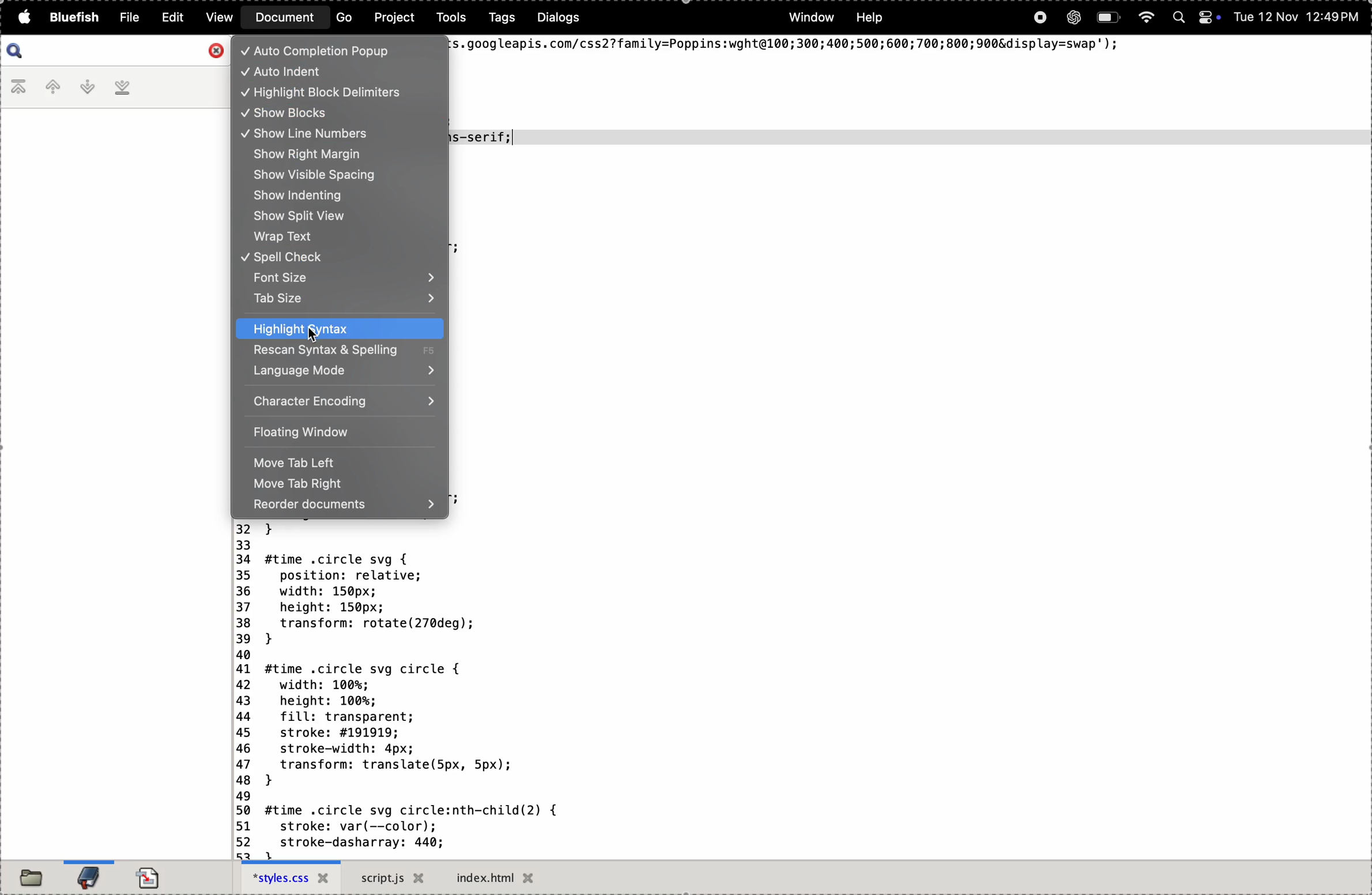 The height and width of the screenshot is (895, 1372). What do you see at coordinates (127, 16) in the screenshot?
I see `file` at bounding box center [127, 16].